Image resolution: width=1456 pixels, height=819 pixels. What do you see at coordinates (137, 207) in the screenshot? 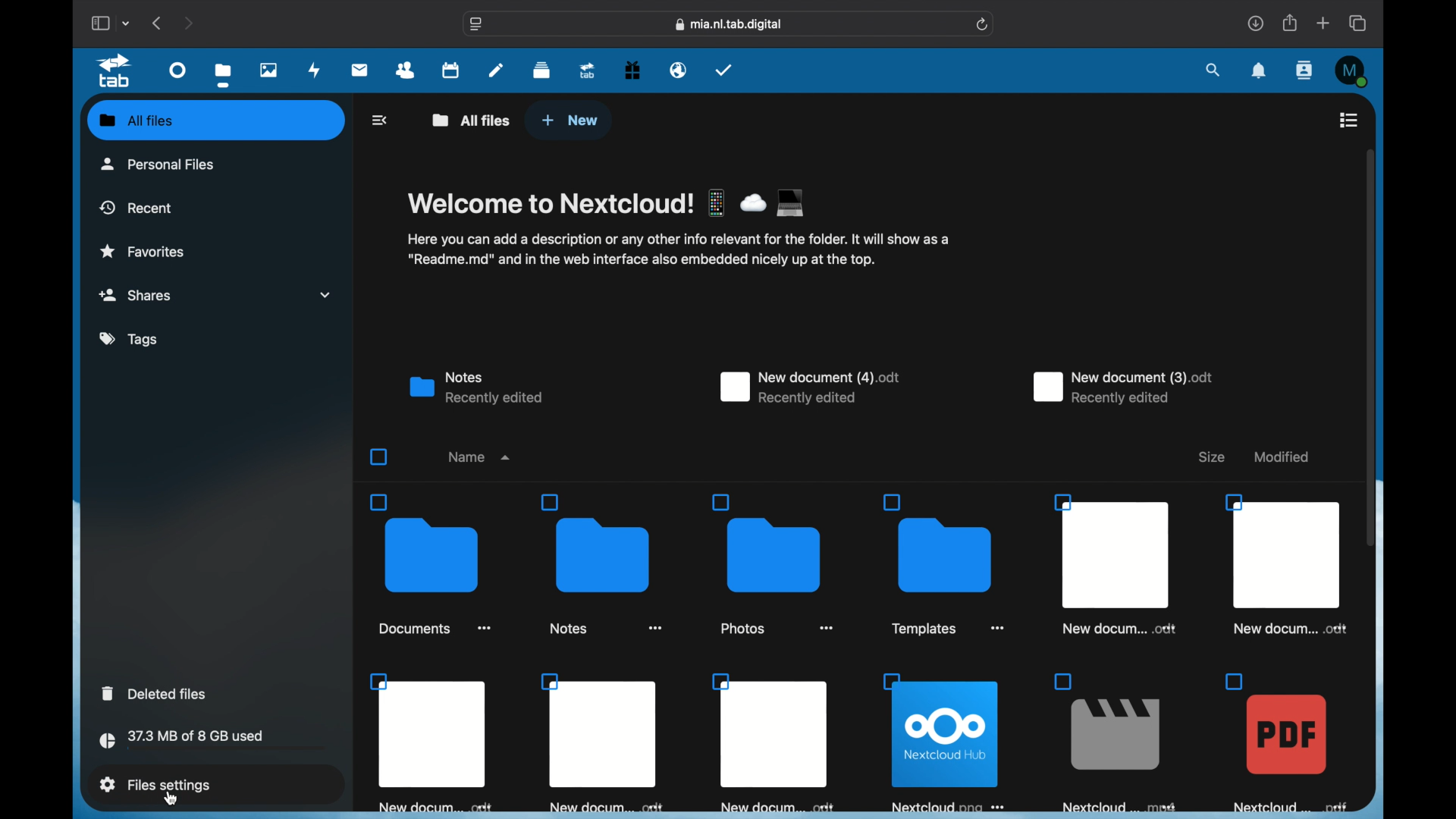
I see `recent` at bounding box center [137, 207].